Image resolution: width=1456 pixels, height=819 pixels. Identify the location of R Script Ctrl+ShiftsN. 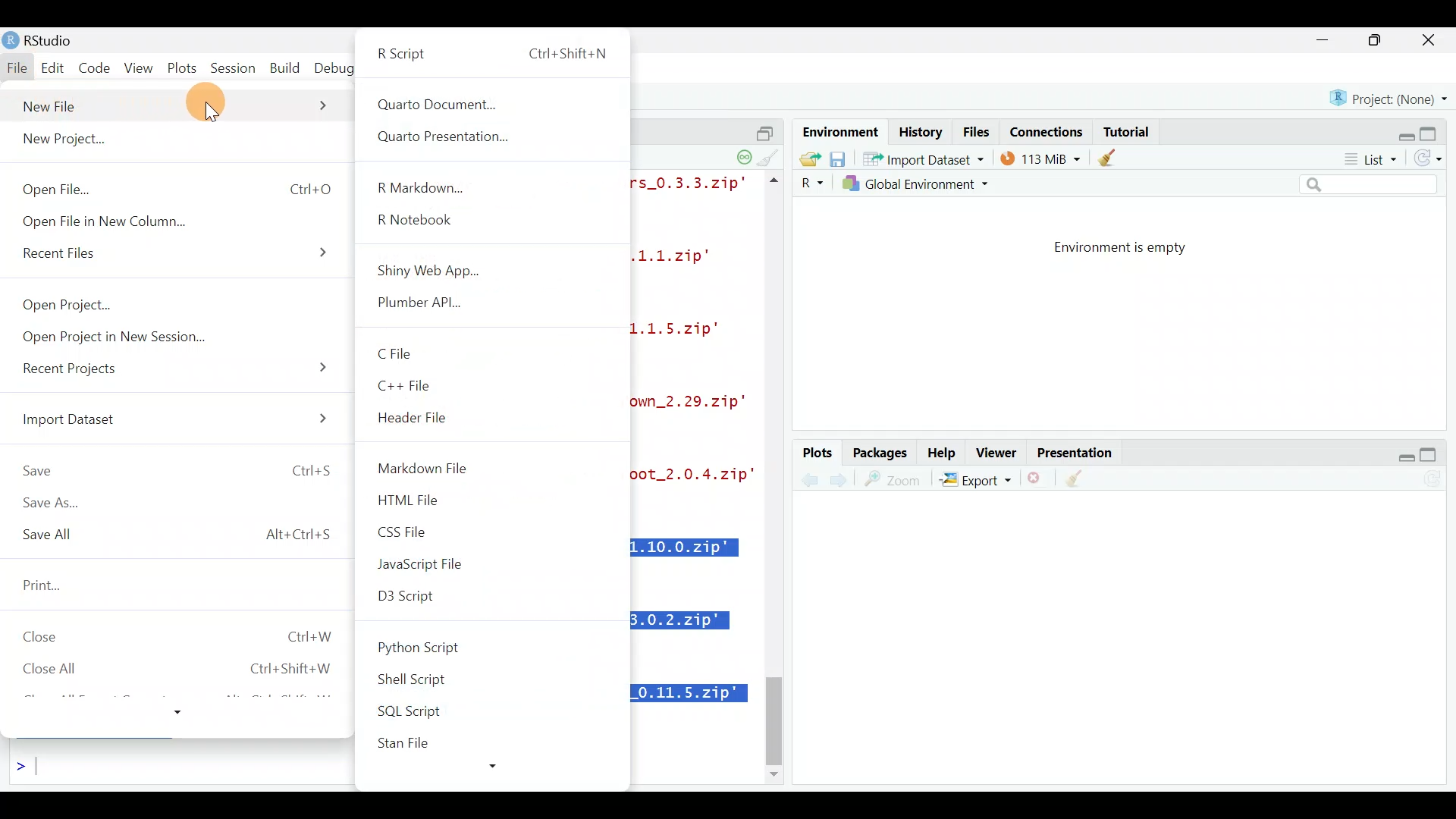
(491, 52).